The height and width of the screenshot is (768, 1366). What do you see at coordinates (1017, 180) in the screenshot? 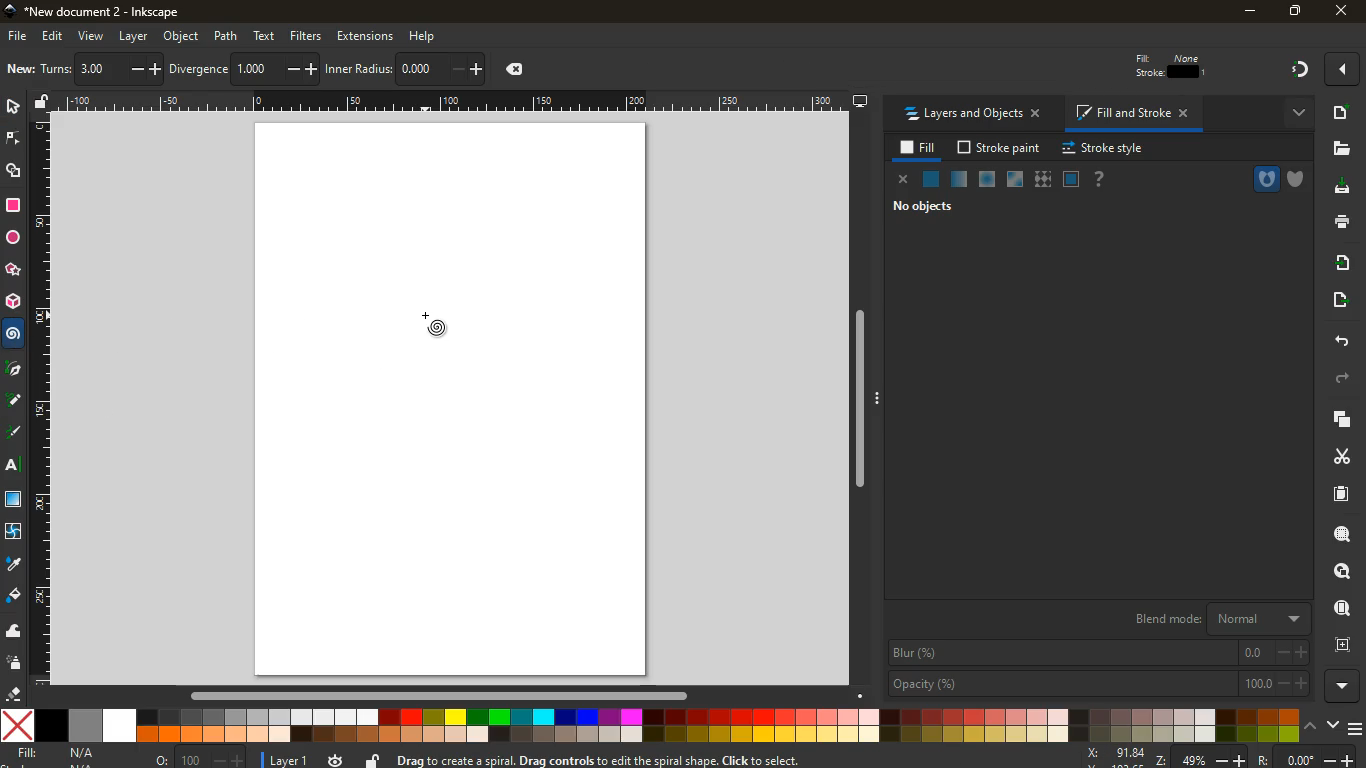
I see `glass` at bounding box center [1017, 180].